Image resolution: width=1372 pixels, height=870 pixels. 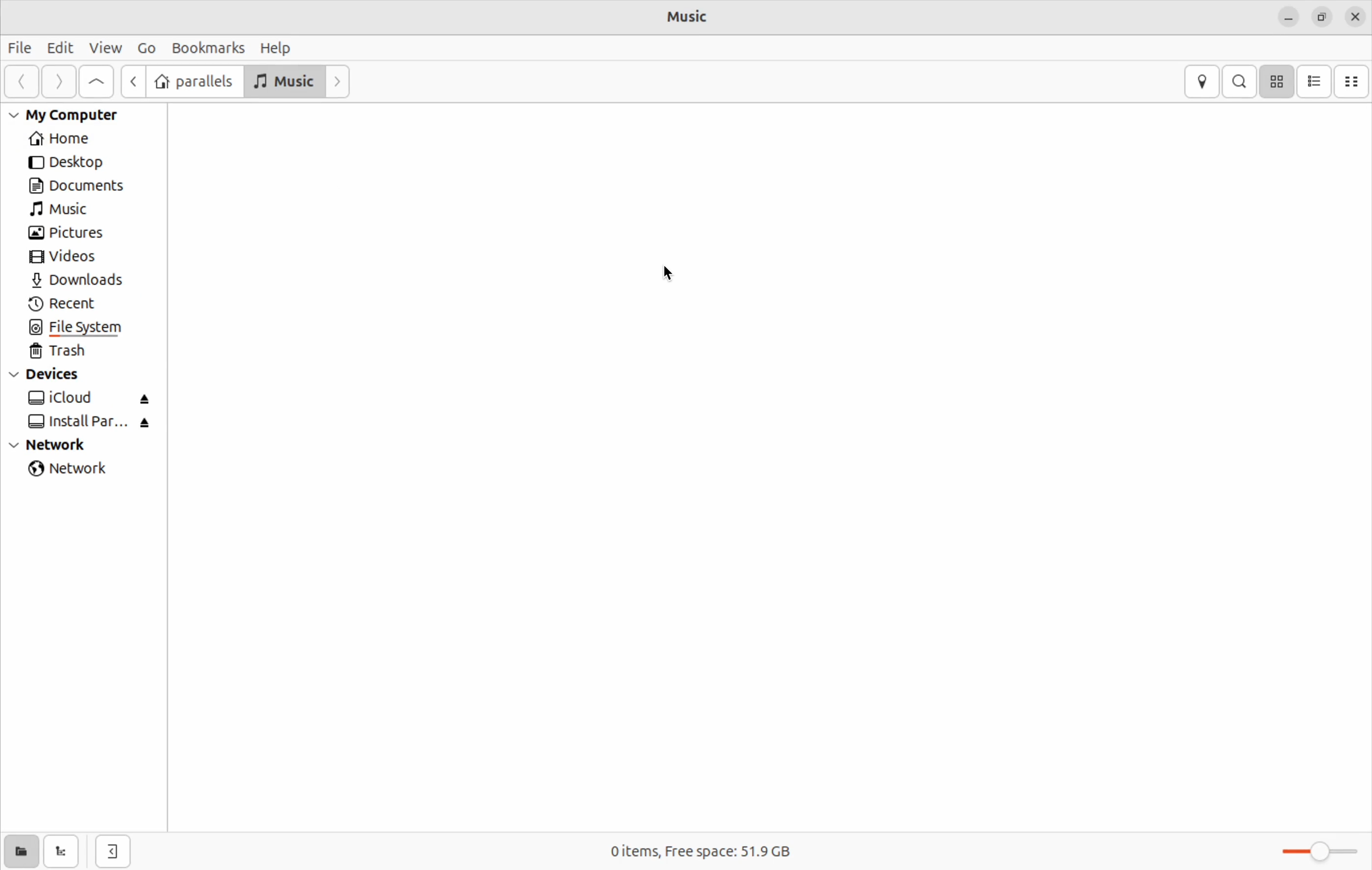 I want to click on list view, so click(x=1317, y=82).